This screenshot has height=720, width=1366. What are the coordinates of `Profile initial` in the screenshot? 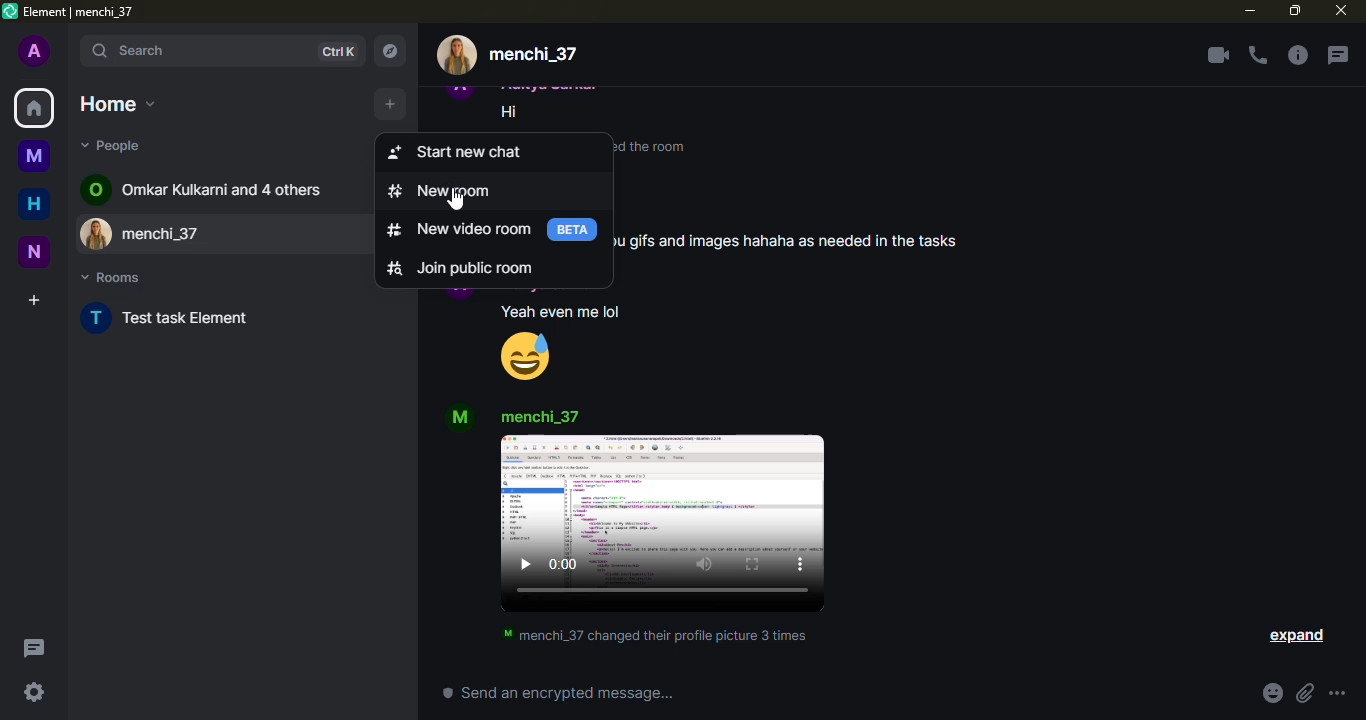 It's located at (461, 417).